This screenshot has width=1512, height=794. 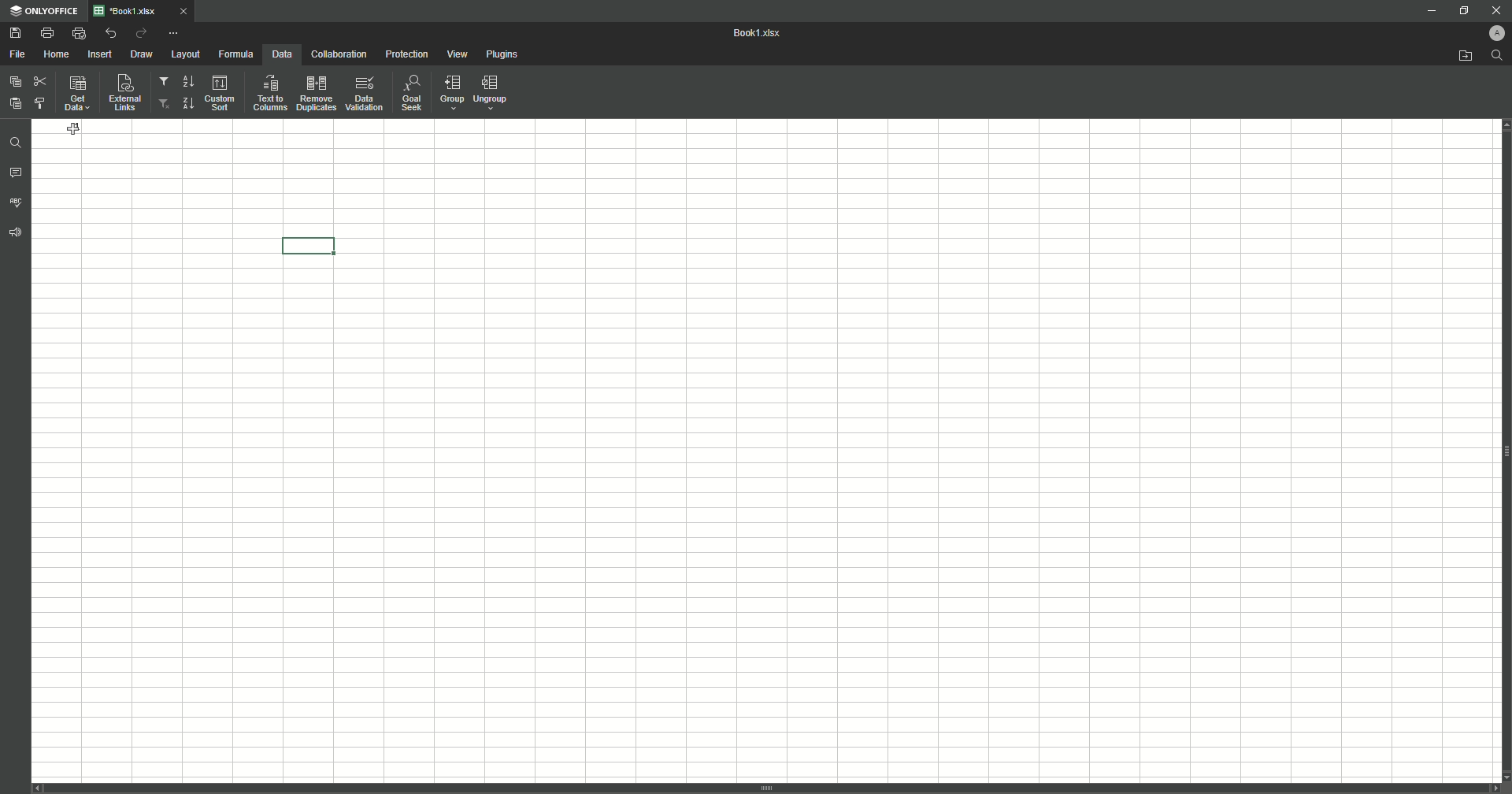 What do you see at coordinates (109, 33) in the screenshot?
I see `Undo` at bounding box center [109, 33].